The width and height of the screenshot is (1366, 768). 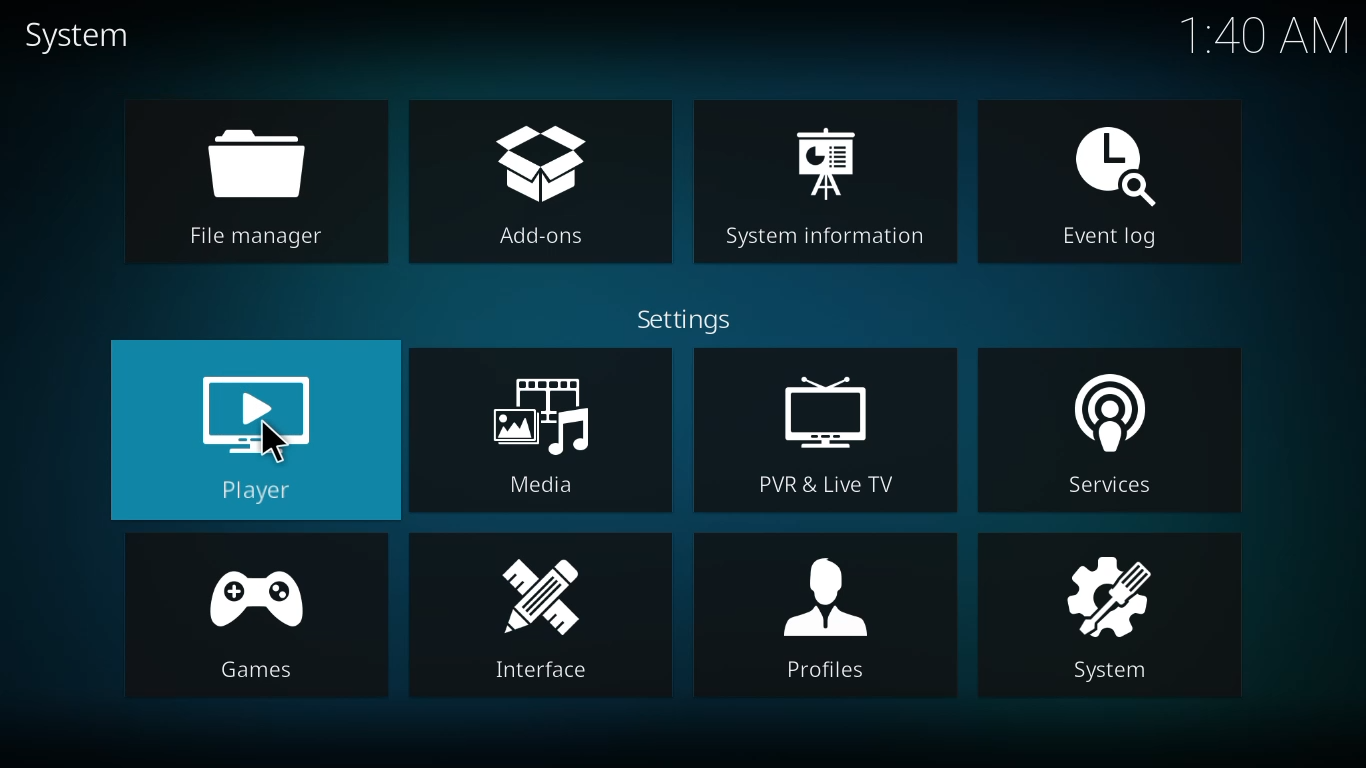 What do you see at coordinates (1108, 614) in the screenshot?
I see `system` at bounding box center [1108, 614].